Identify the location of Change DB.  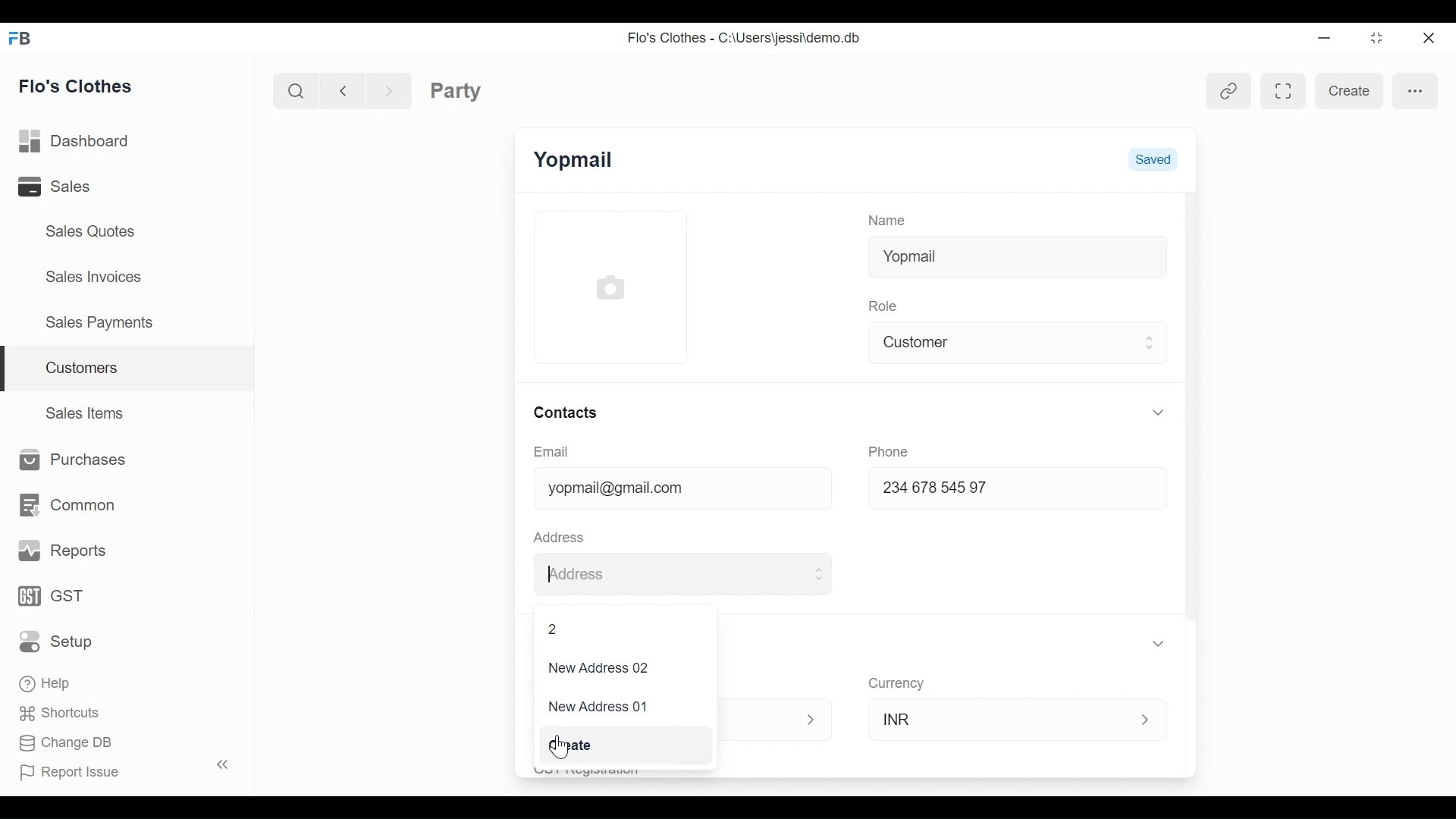
(67, 745).